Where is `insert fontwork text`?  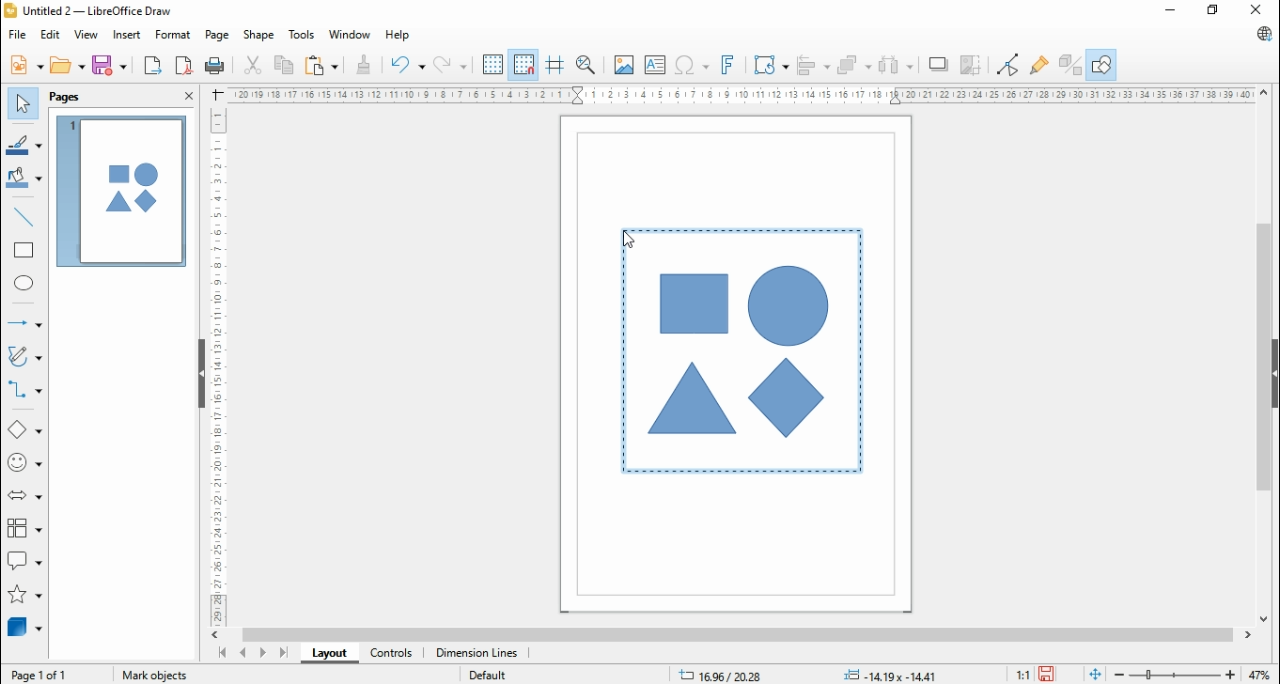 insert fontwork text is located at coordinates (729, 64).